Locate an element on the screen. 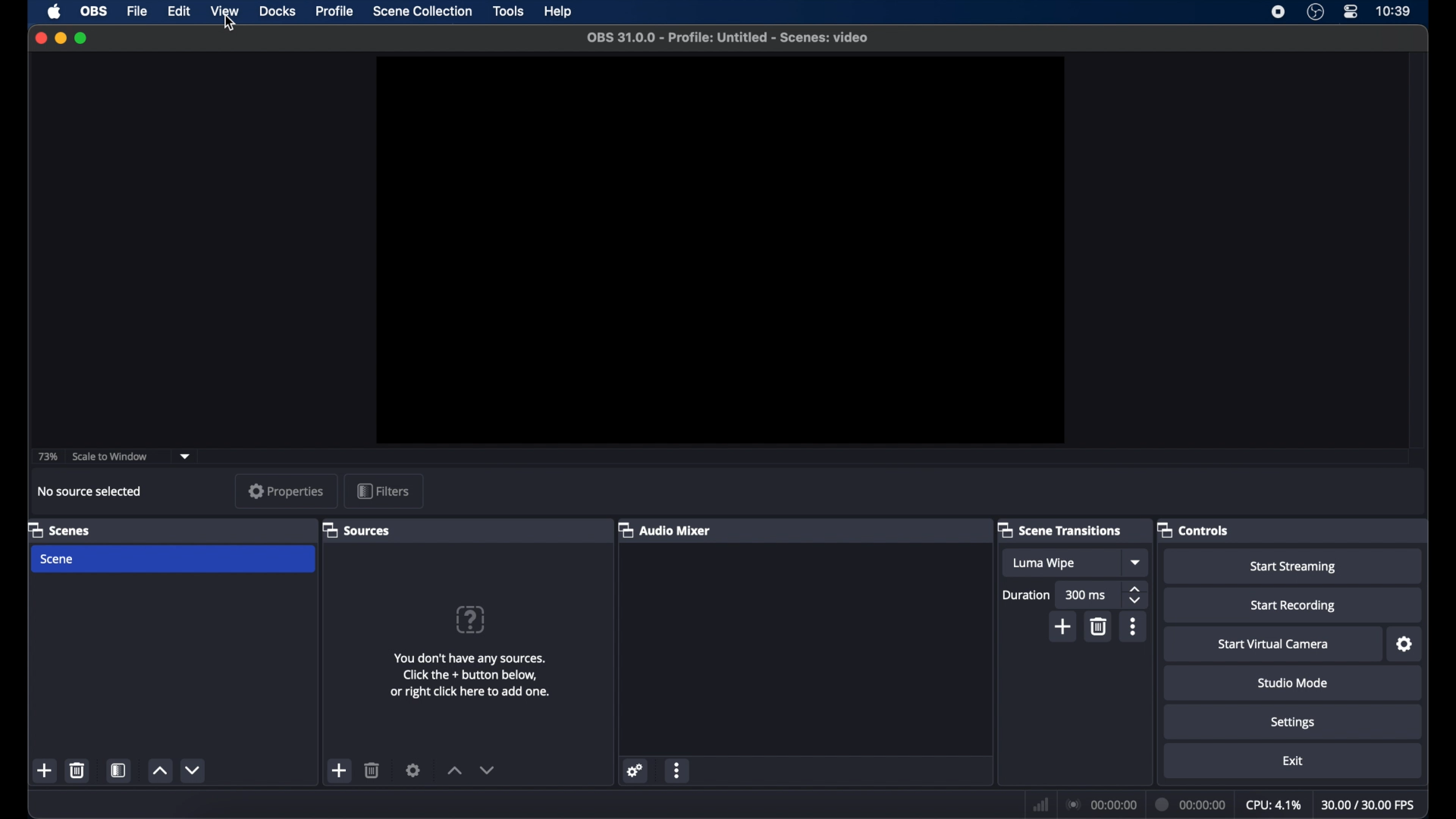  increment is located at coordinates (160, 770).